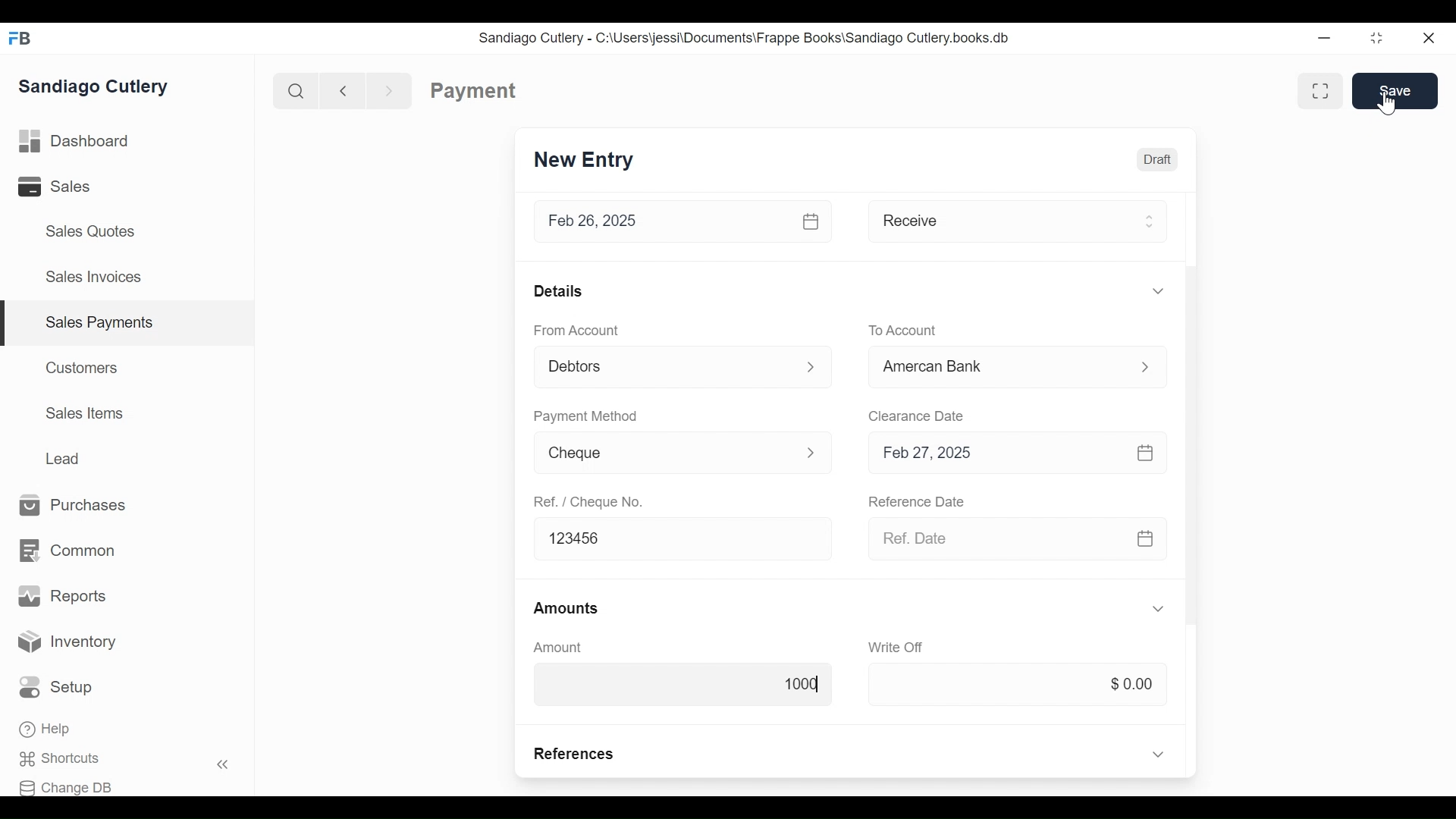 The width and height of the screenshot is (1456, 819). Describe the element at coordinates (1395, 90) in the screenshot. I see `Save` at that location.